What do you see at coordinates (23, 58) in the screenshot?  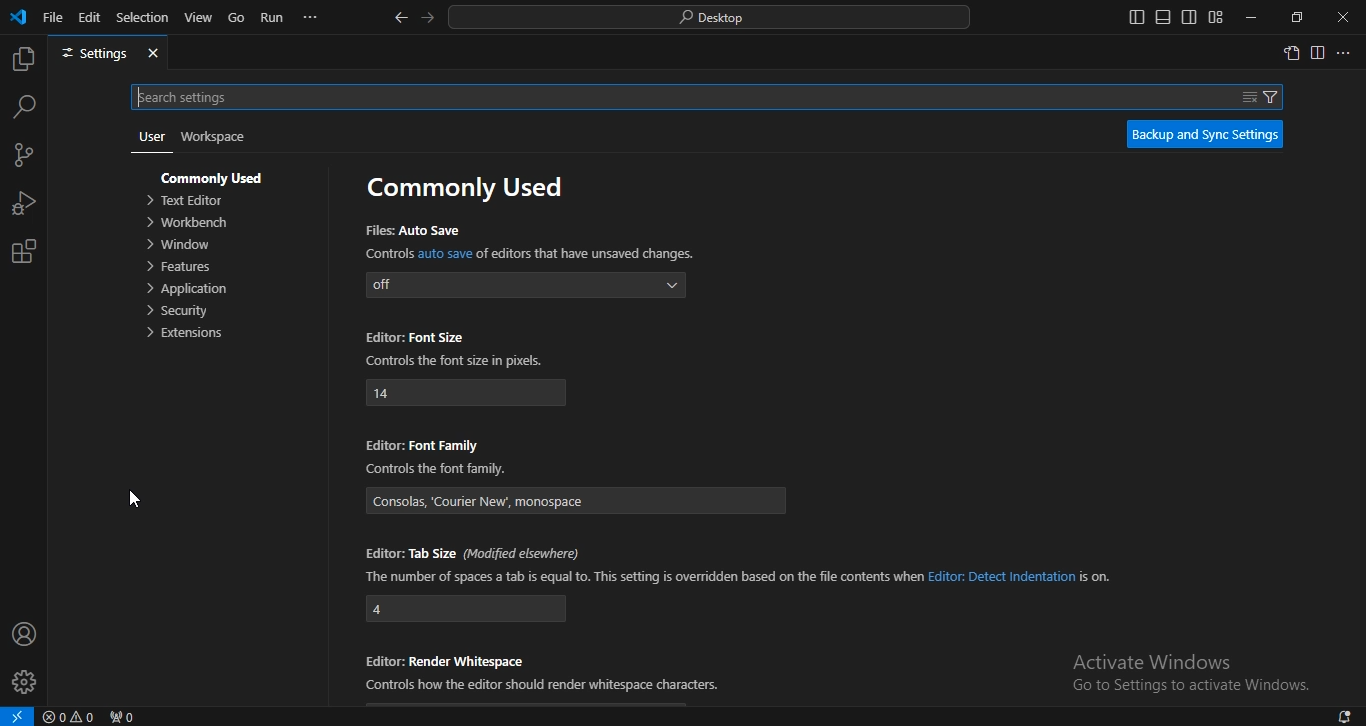 I see `explorer` at bounding box center [23, 58].